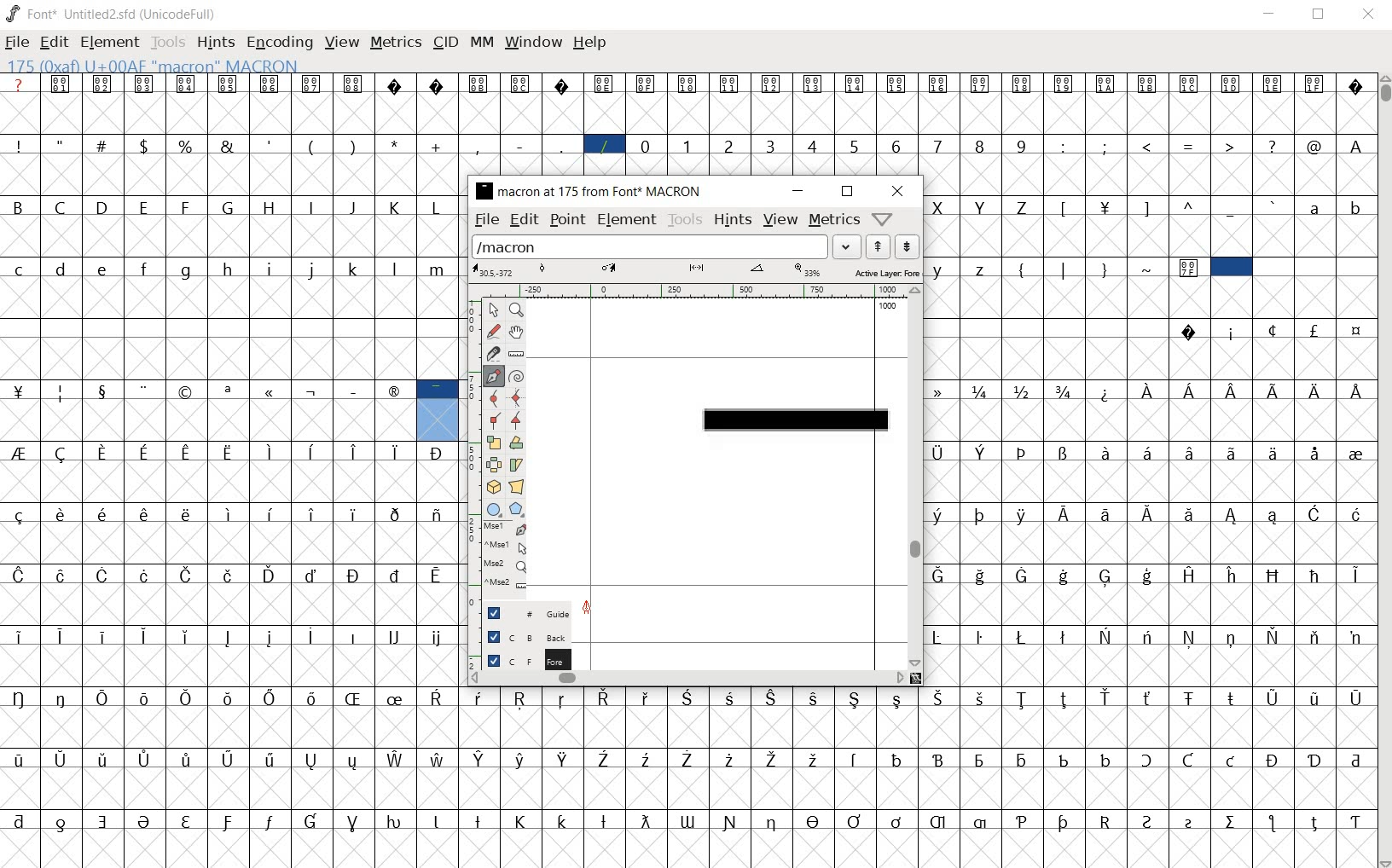  What do you see at coordinates (481, 758) in the screenshot?
I see `Symbol` at bounding box center [481, 758].